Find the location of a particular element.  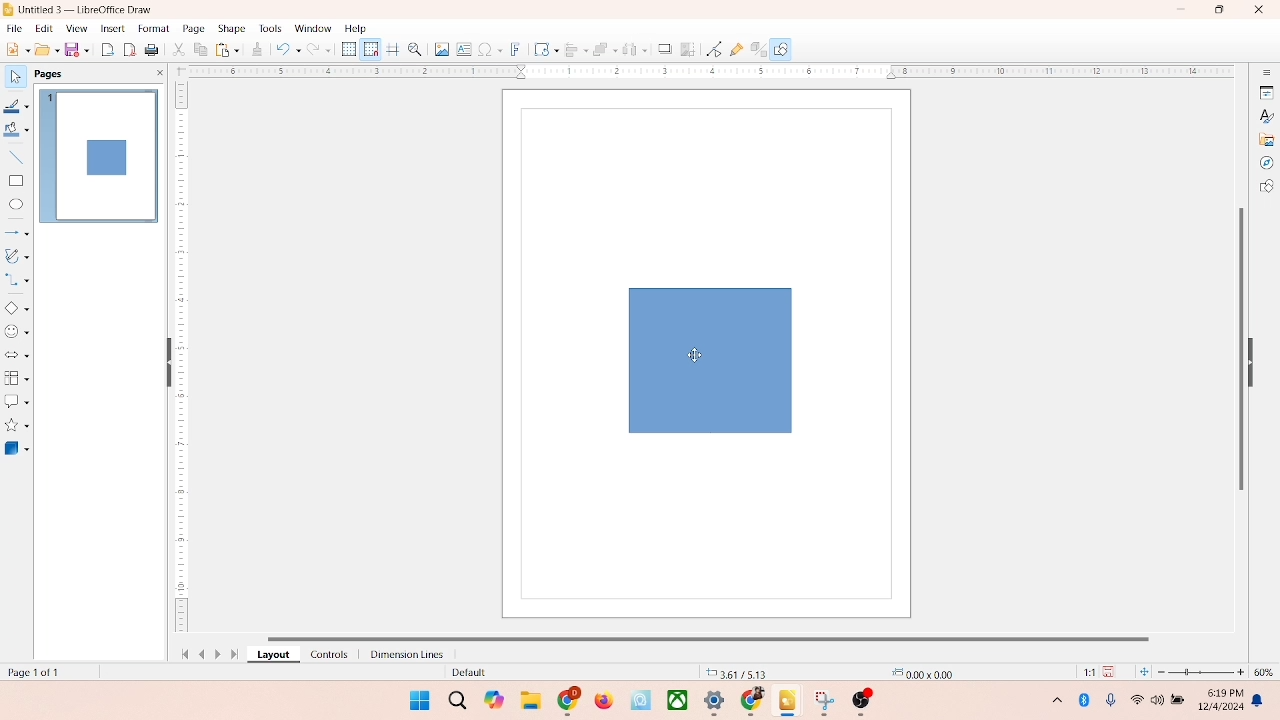

last page is located at coordinates (236, 655).